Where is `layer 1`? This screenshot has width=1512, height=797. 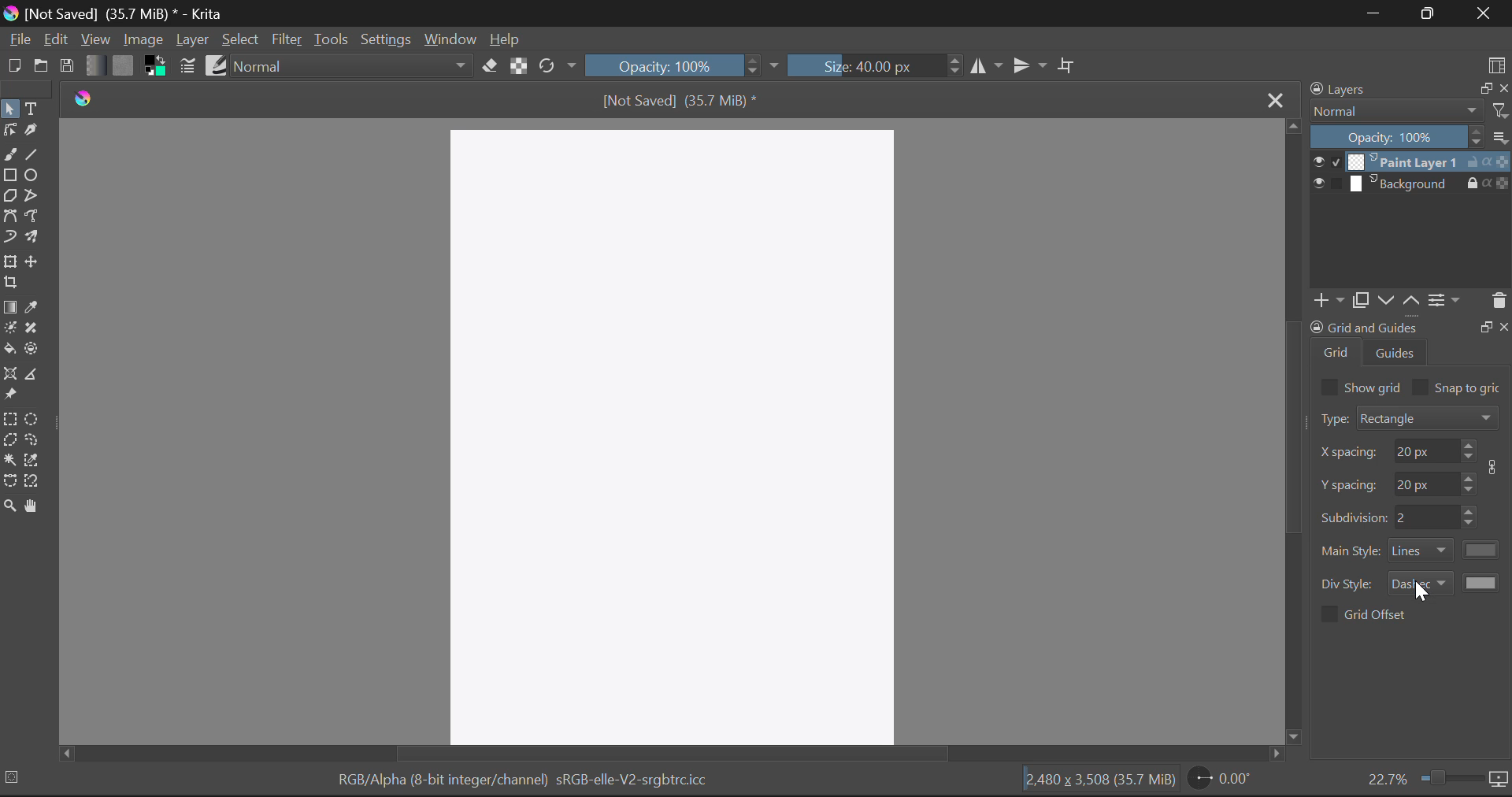
layer 1 is located at coordinates (1403, 161).